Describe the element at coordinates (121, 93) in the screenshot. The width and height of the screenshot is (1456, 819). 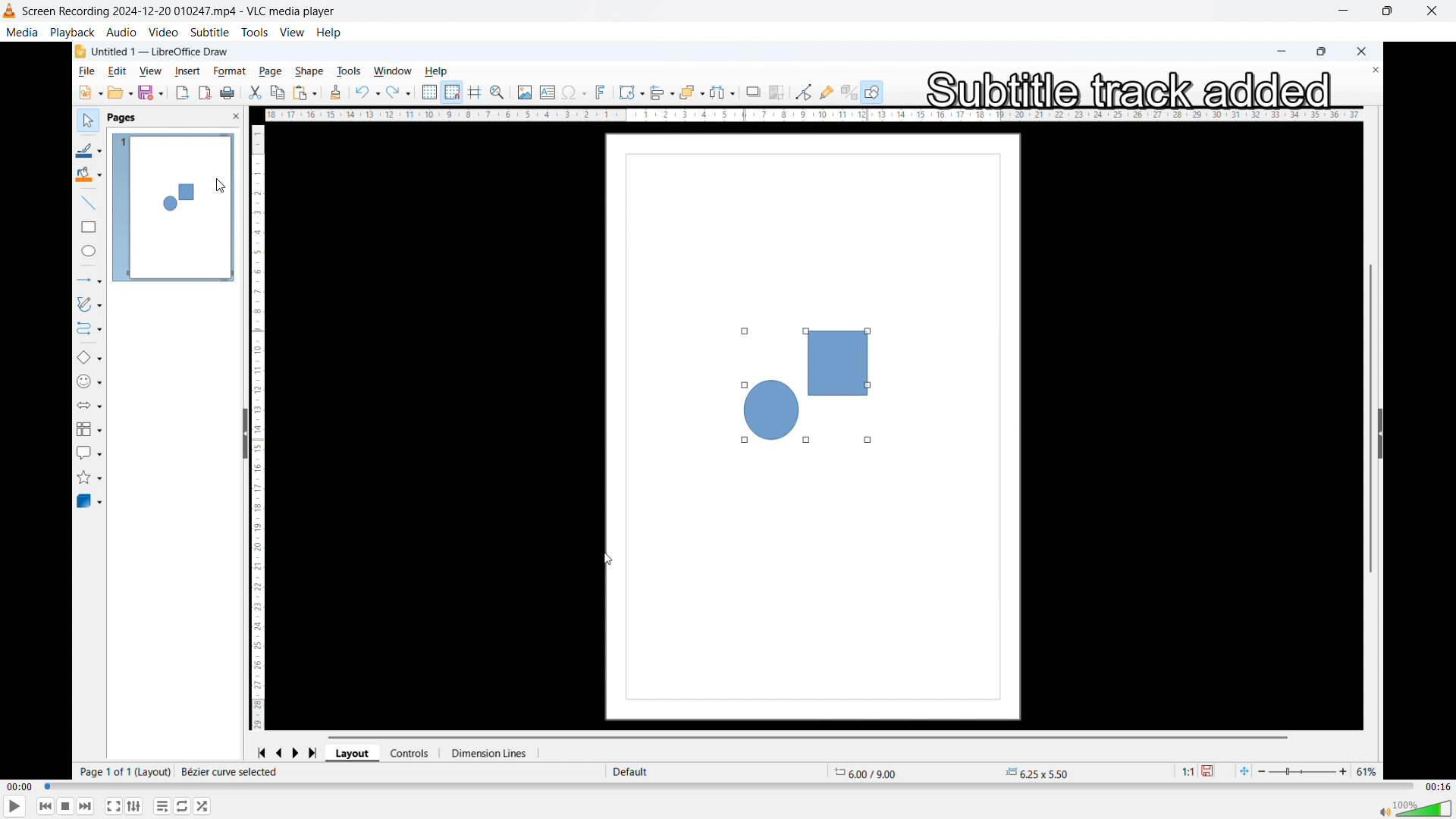
I see `open` at that location.